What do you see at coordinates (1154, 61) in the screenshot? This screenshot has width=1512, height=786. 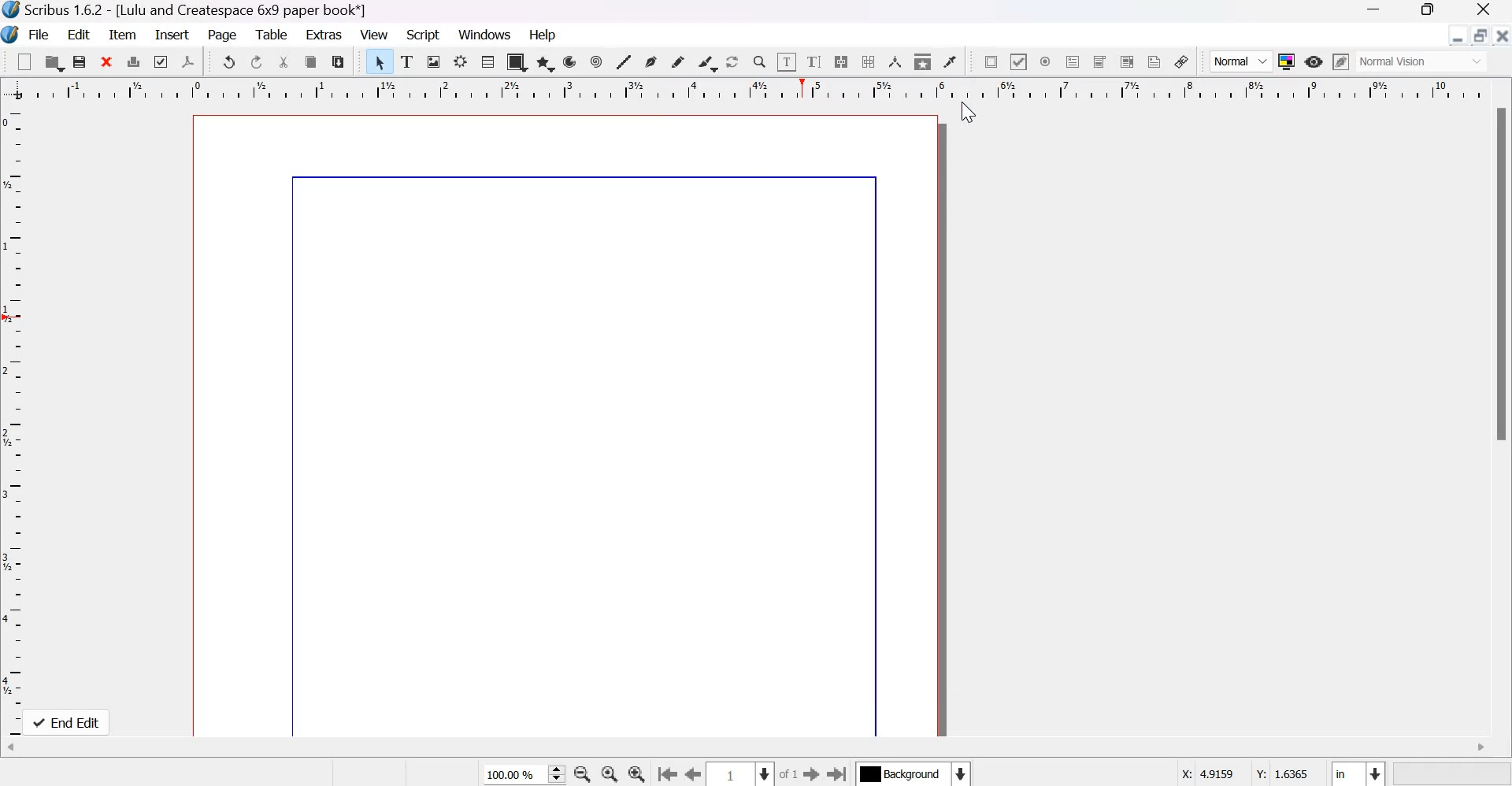 I see `Text annotation` at bounding box center [1154, 61].